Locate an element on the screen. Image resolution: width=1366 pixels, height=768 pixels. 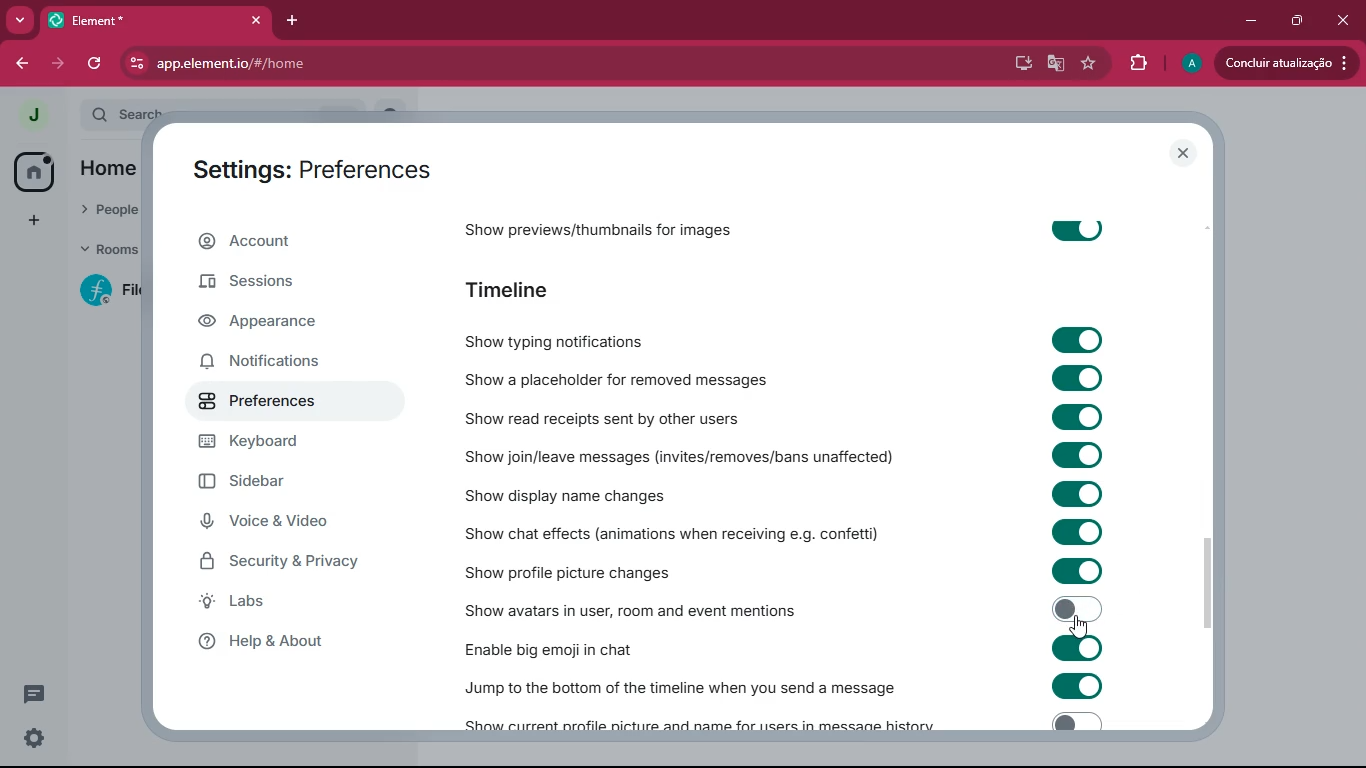
toggle on is located at coordinates (1075, 229).